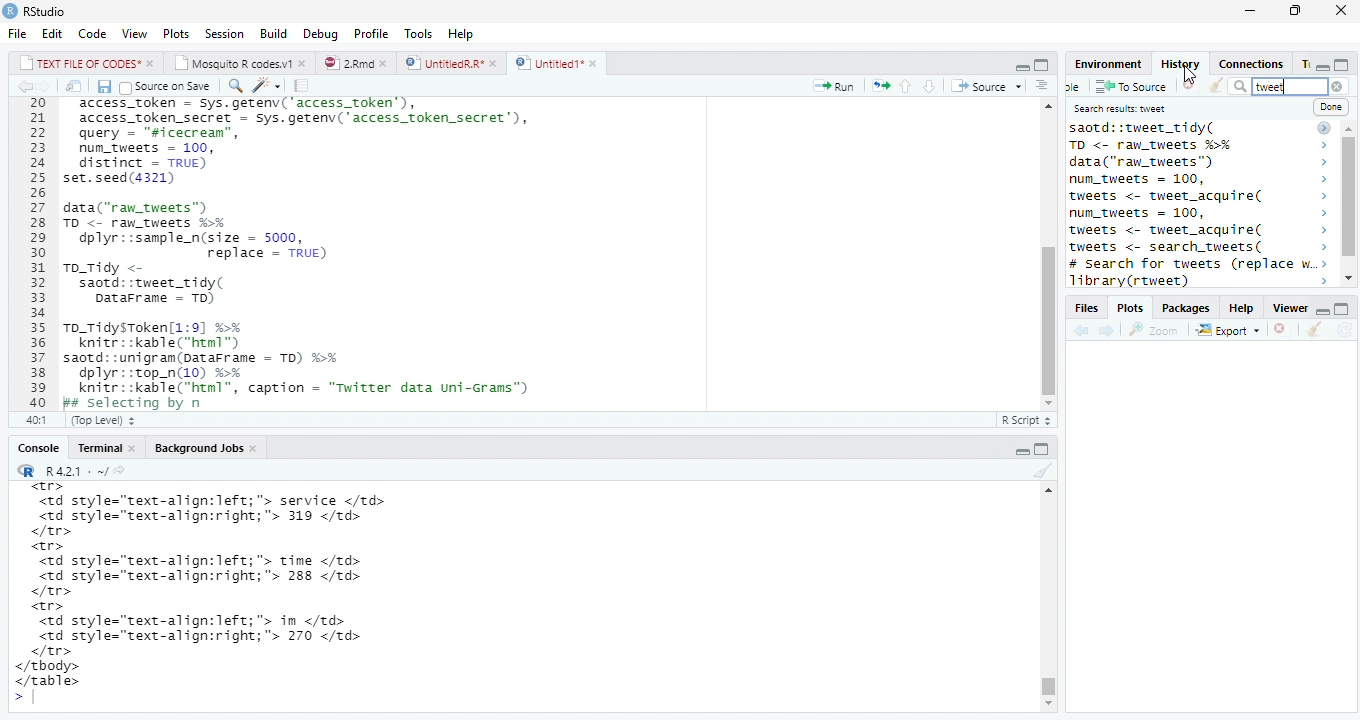 The image size is (1360, 720). What do you see at coordinates (271, 85) in the screenshot?
I see `code tools` at bounding box center [271, 85].